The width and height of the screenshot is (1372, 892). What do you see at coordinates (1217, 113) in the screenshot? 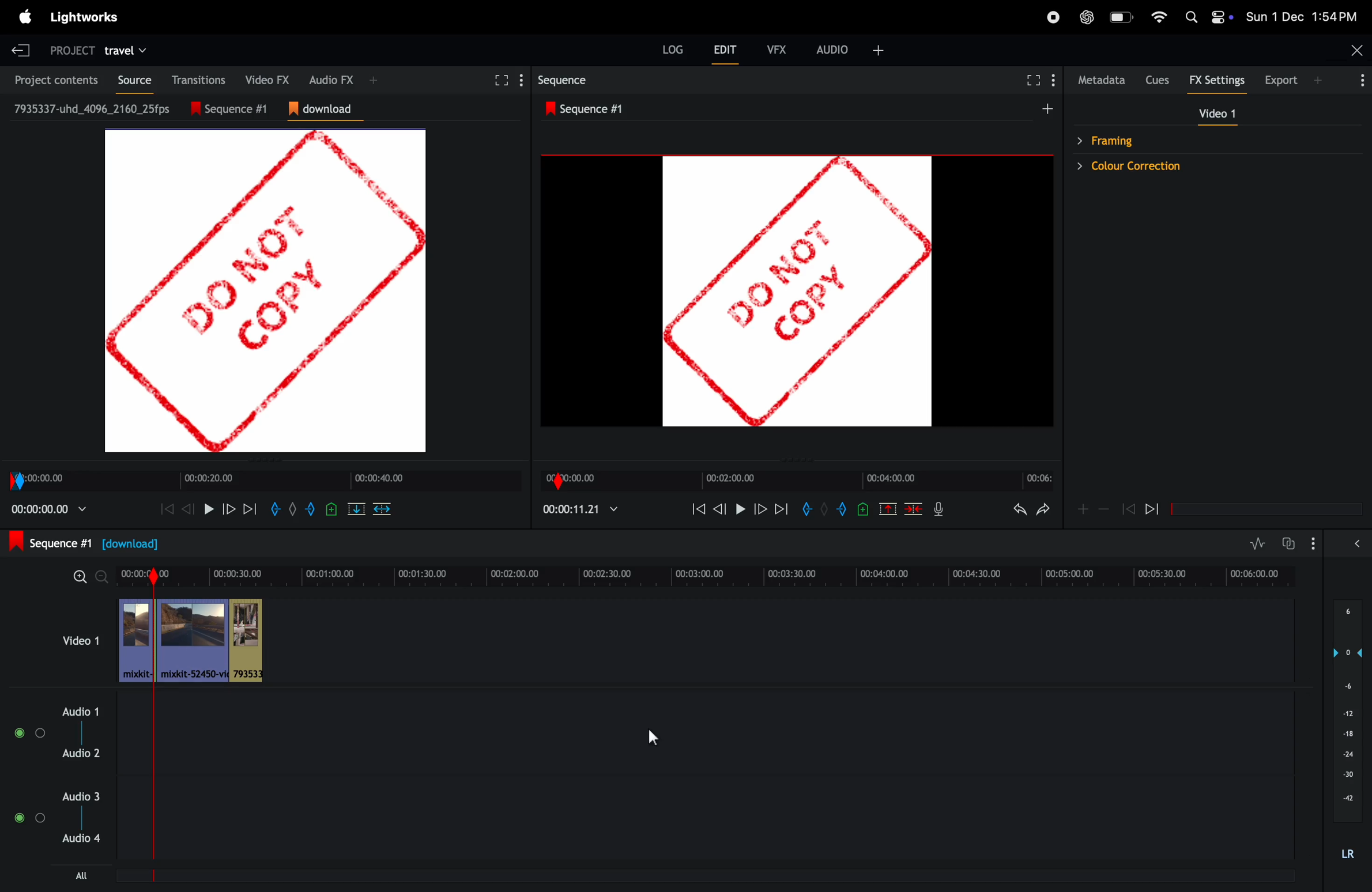
I see `video` at bounding box center [1217, 113].